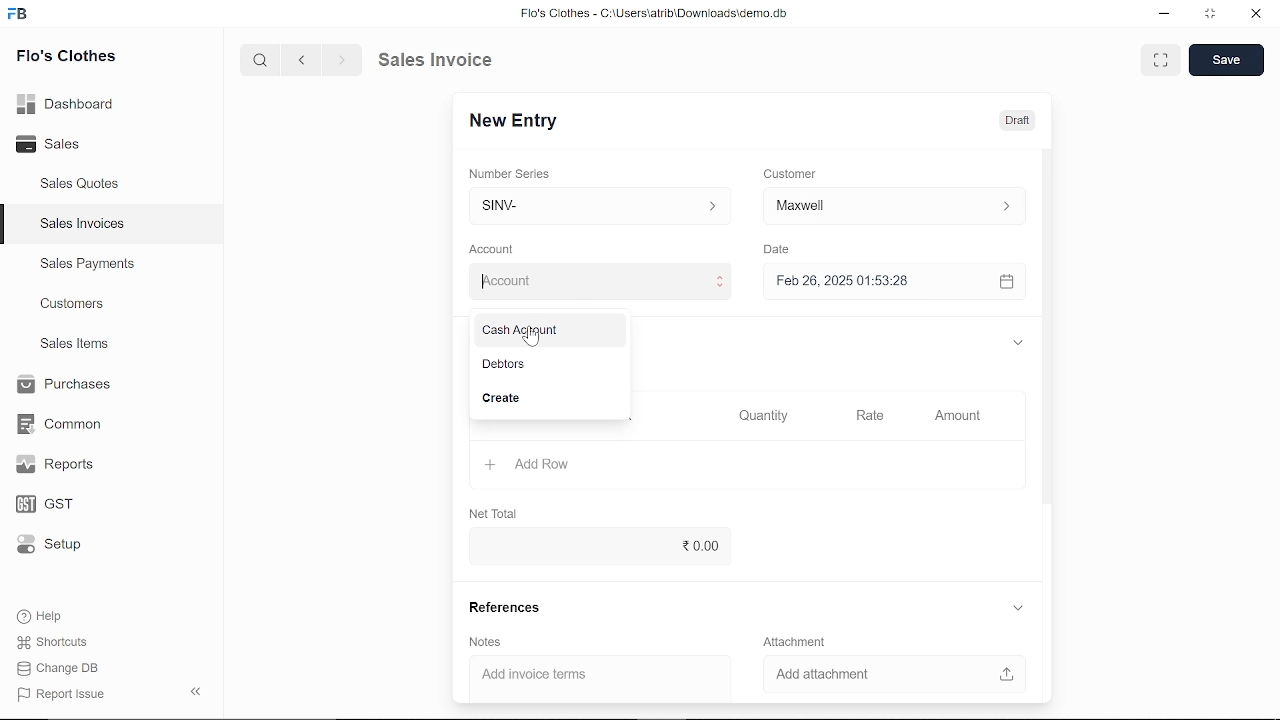  I want to click on Add attachment, so click(896, 676).